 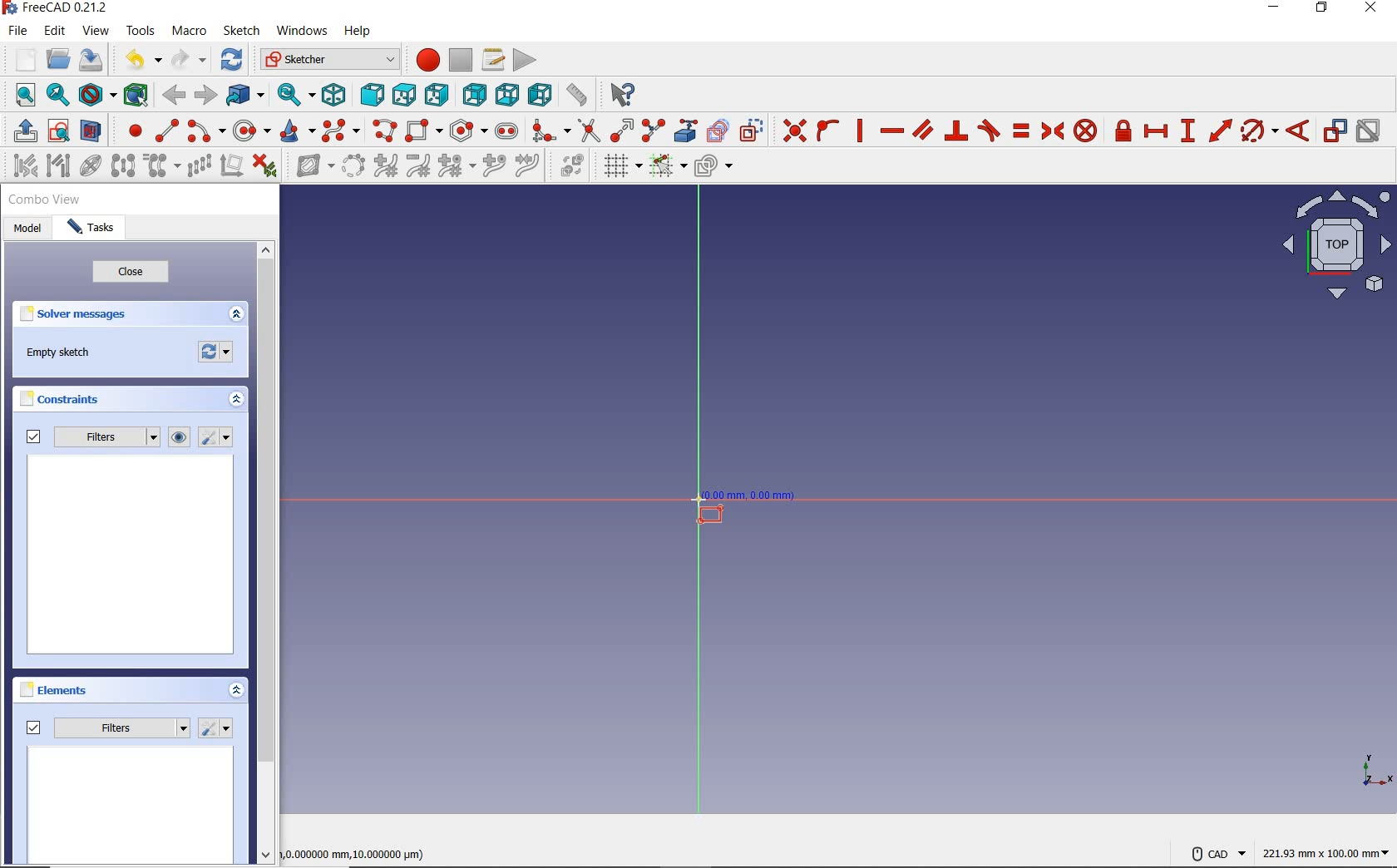 What do you see at coordinates (124, 167) in the screenshot?
I see `symmetry` at bounding box center [124, 167].